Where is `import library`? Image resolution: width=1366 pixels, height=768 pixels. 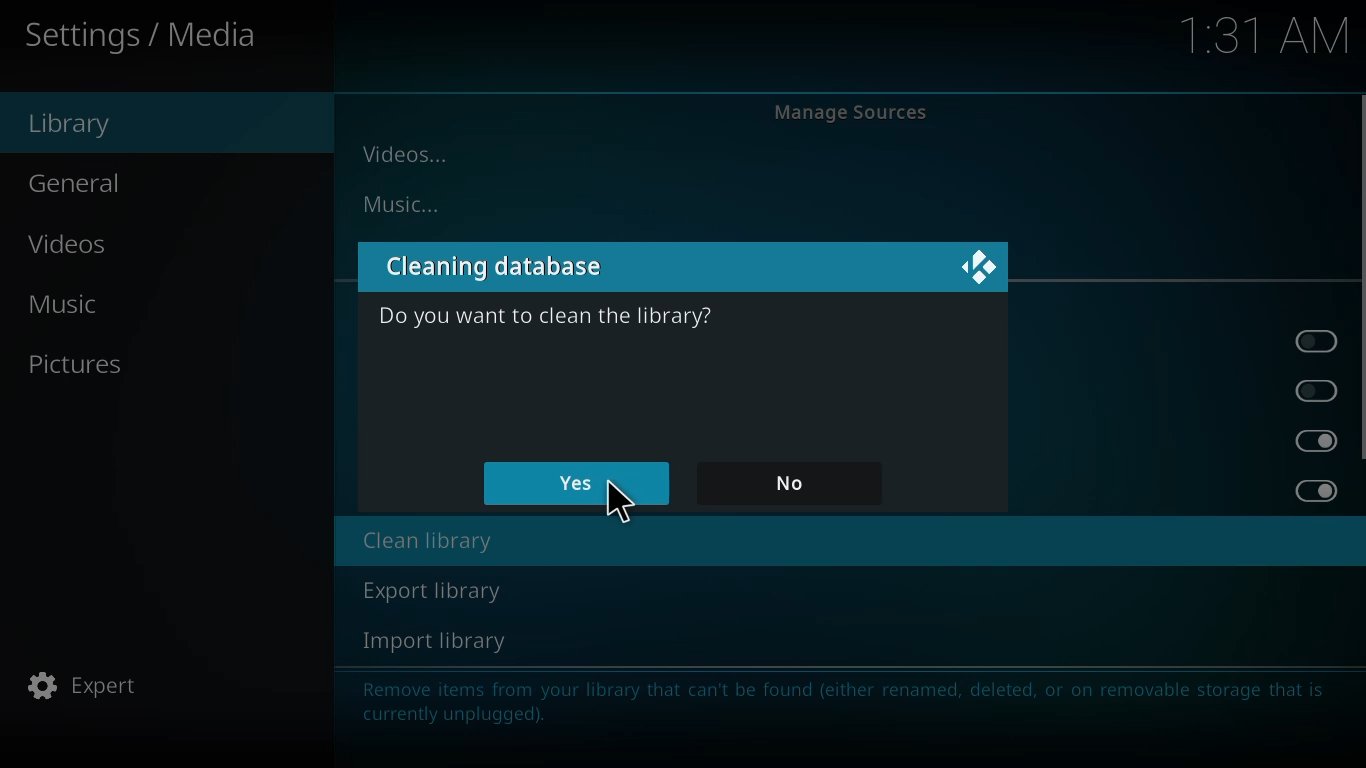 import library is located at coordinates (436, 641).